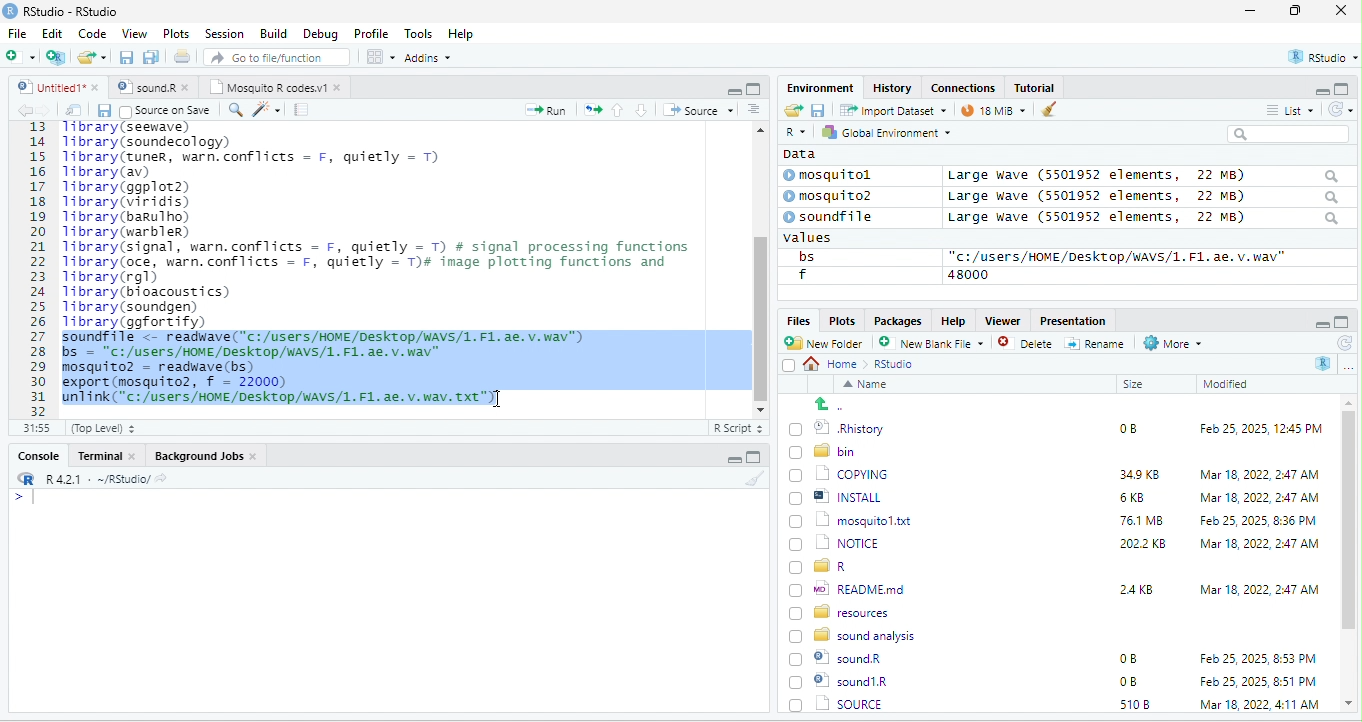  Describe the element at coordinates (818, 238) in the screenshot. I see `values` at that location.